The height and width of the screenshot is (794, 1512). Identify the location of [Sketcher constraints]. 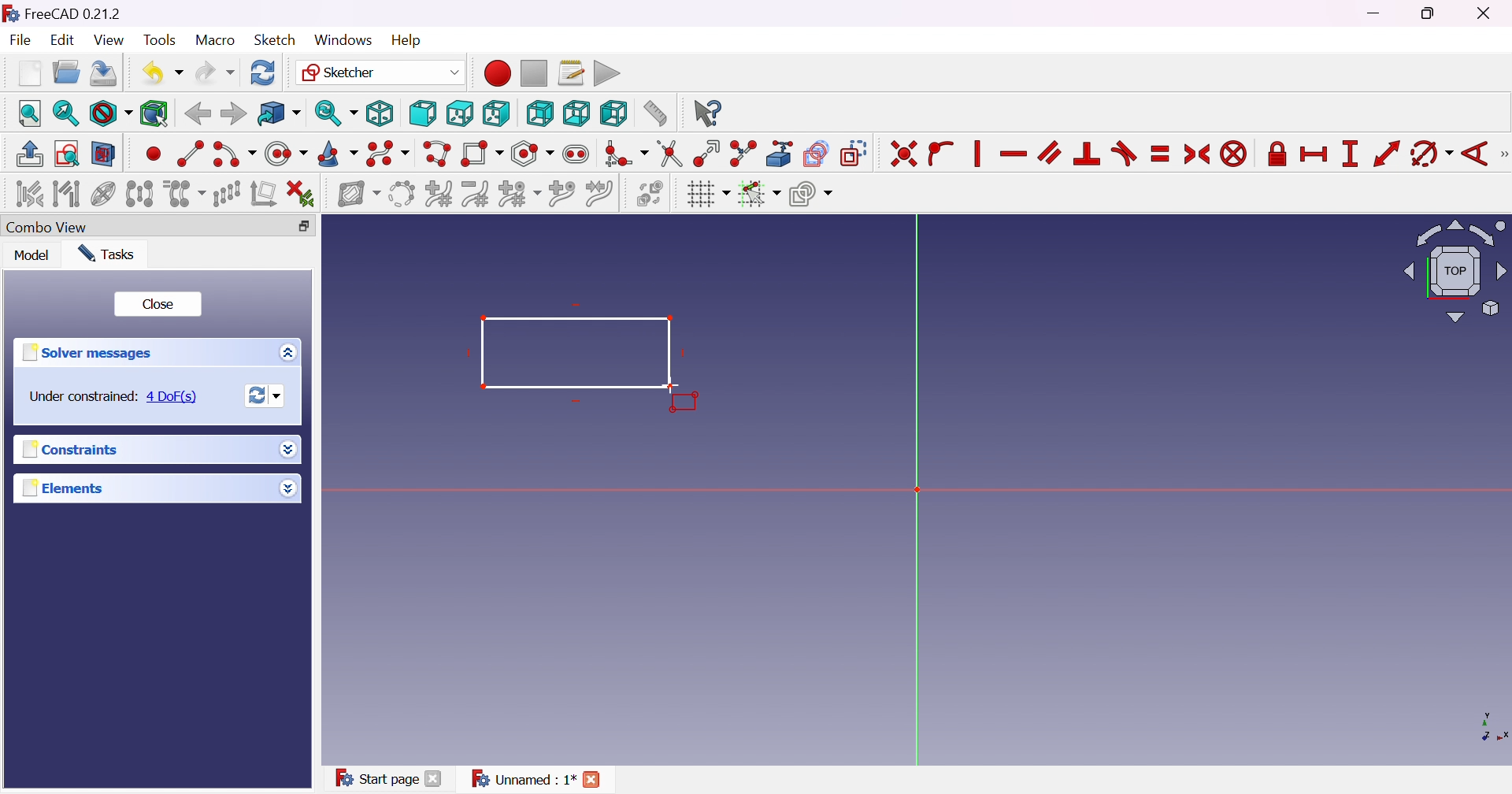
(1503, 154).